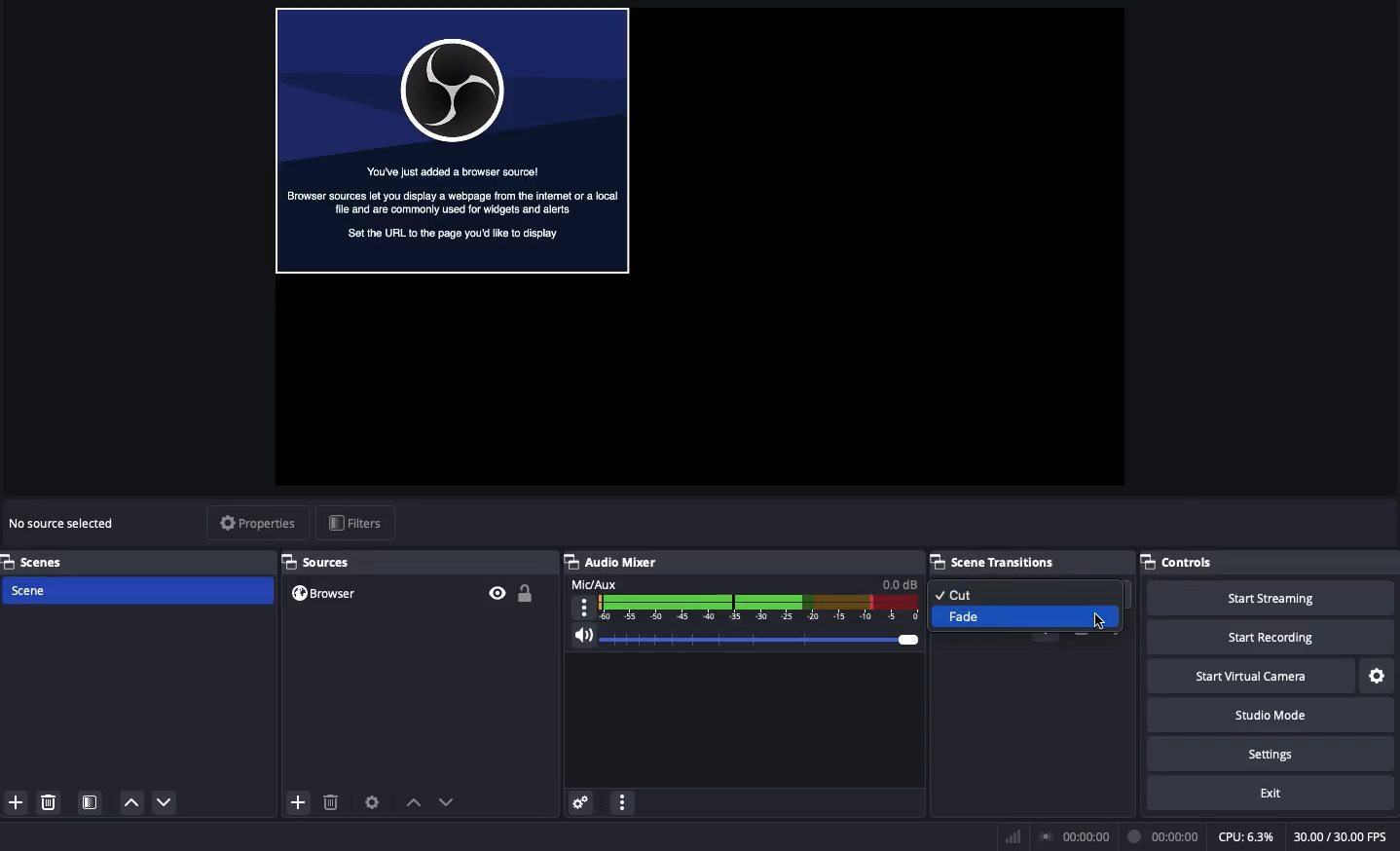 The image size is (1400, 851). Describe the element at coordinates (61, 523) in the screenshot. I see `No source selected` at that location.